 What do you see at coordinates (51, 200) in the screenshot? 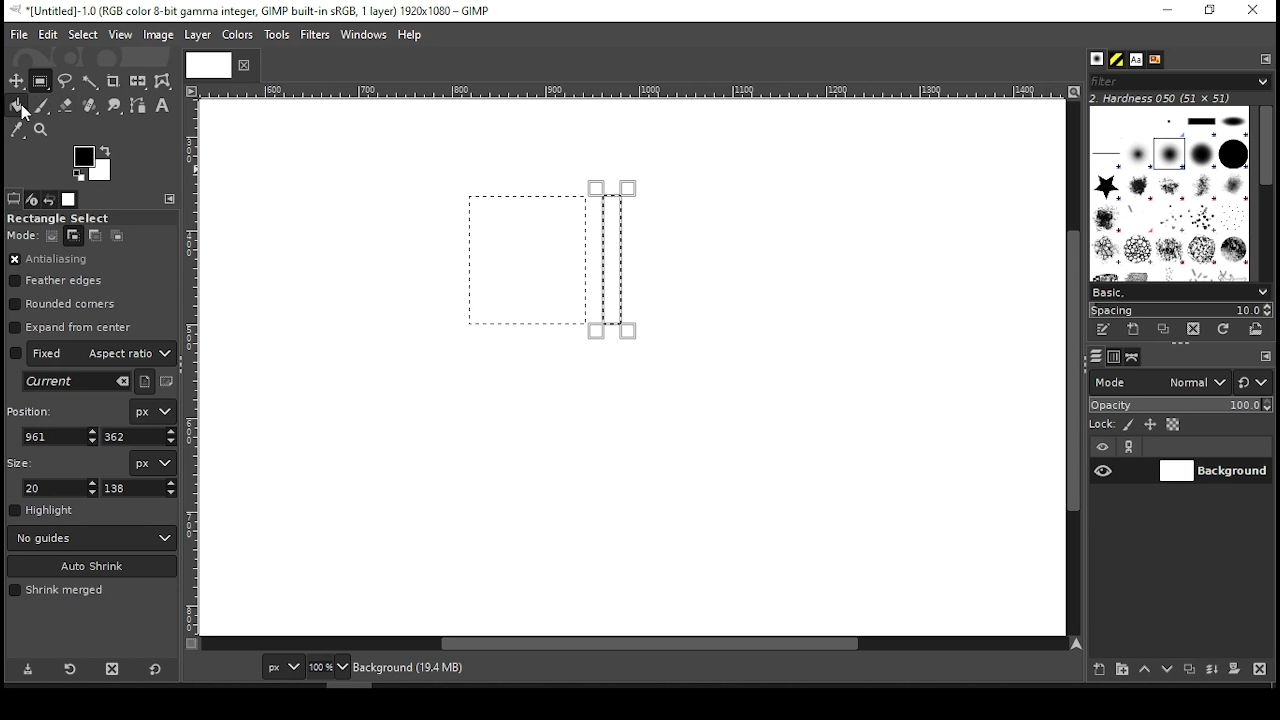
I see `undo history` at bounding box center [51, 200].